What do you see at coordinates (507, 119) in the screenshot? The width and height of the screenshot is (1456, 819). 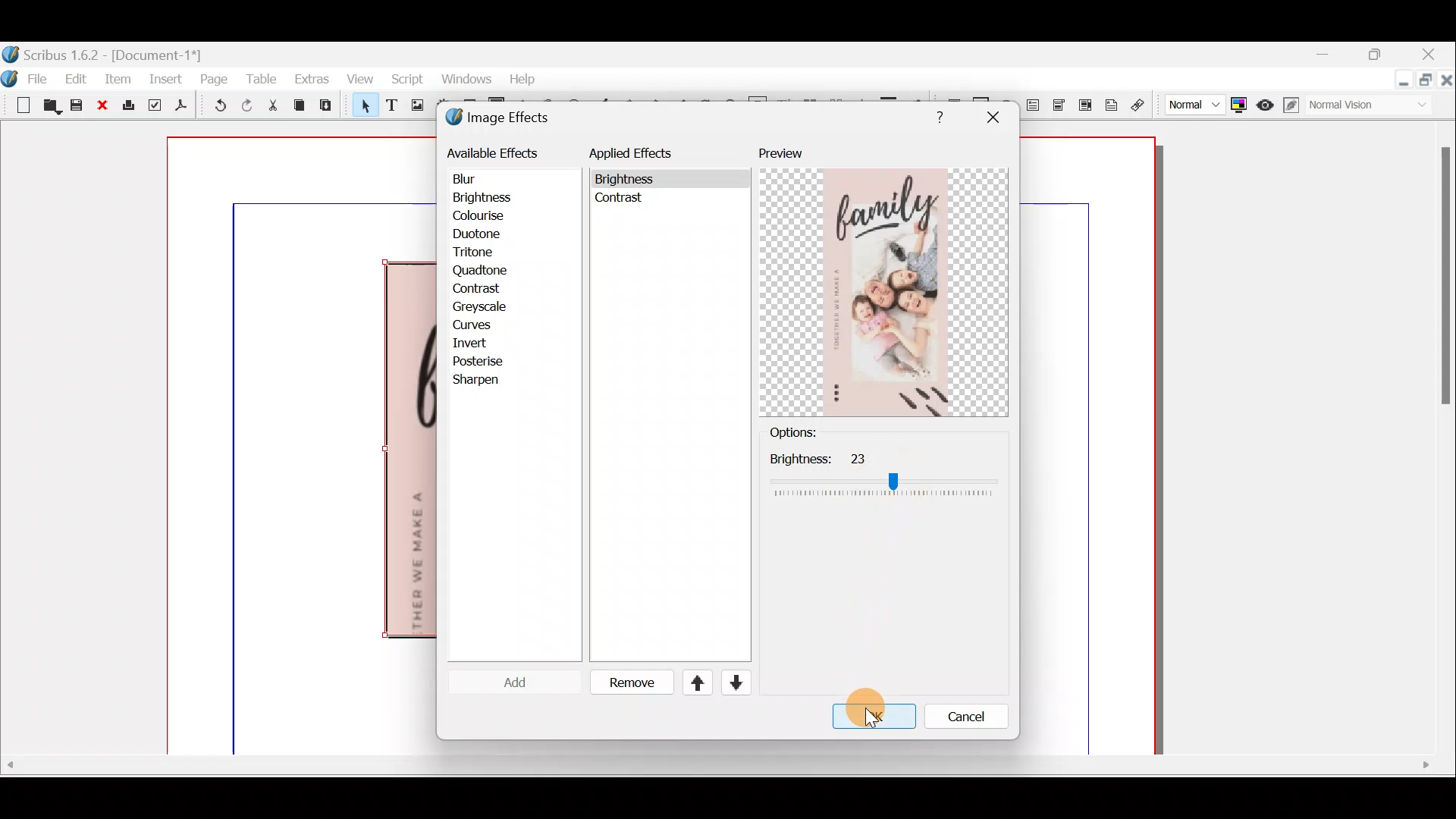 I see `Image effects` at bounding box center [507, 119].